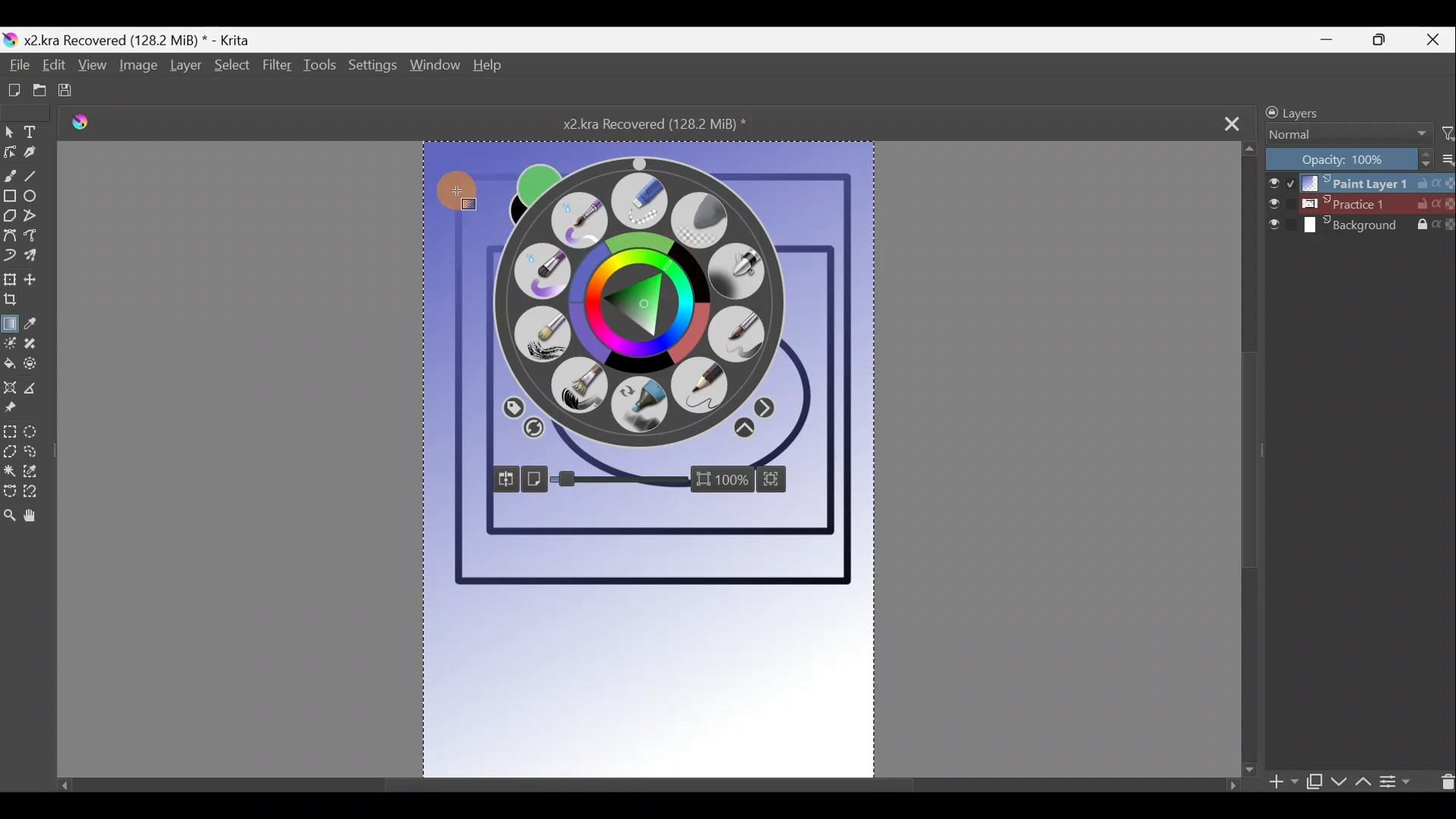 The height and width of the screenshot is (819, 1456). Describe the element at coordinates (1360, 204) in the screenshot. I see `Layer 2` at that location.